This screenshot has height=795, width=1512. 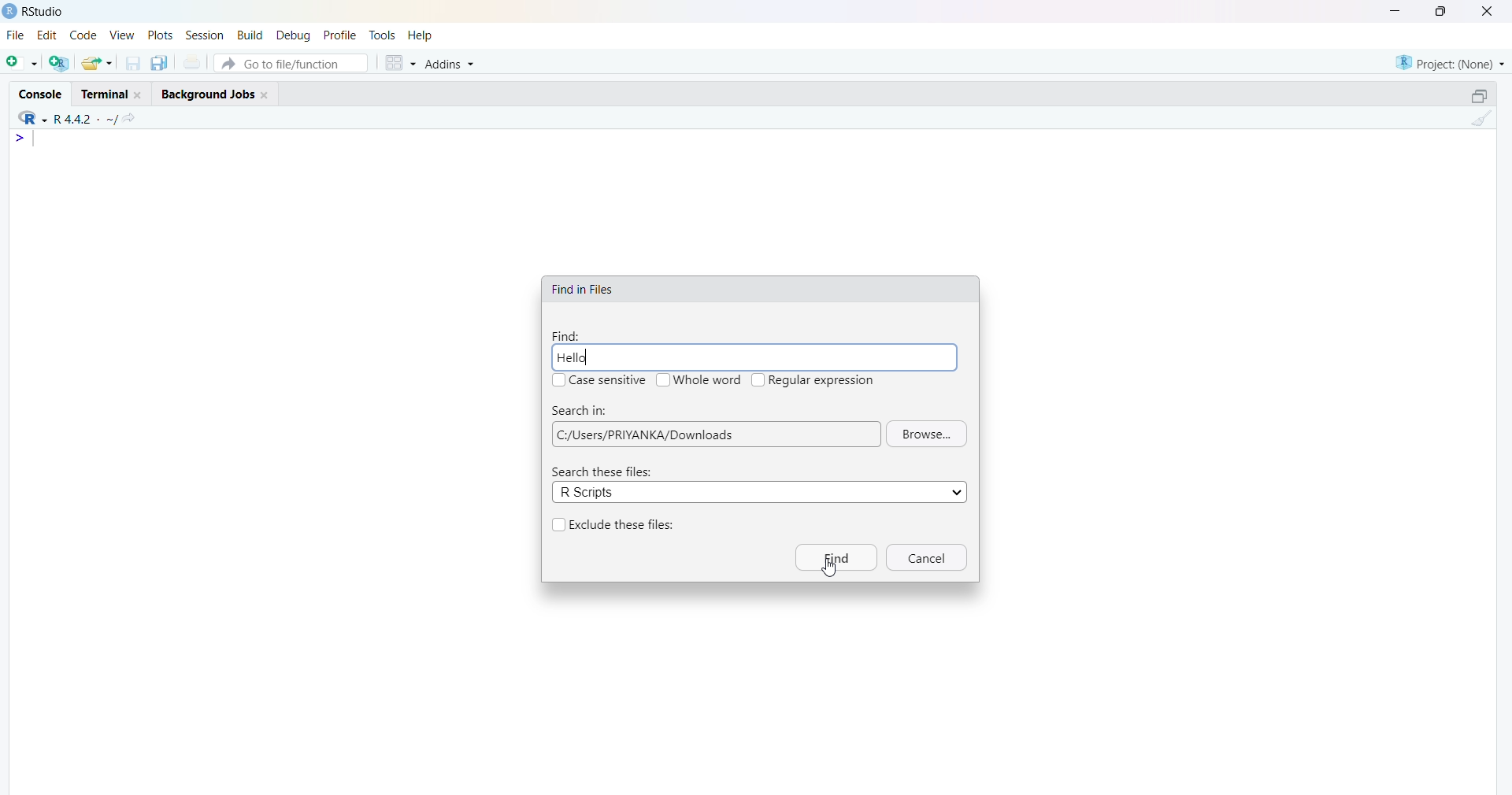 I want to click on Hello, so click(x=754, y=357).